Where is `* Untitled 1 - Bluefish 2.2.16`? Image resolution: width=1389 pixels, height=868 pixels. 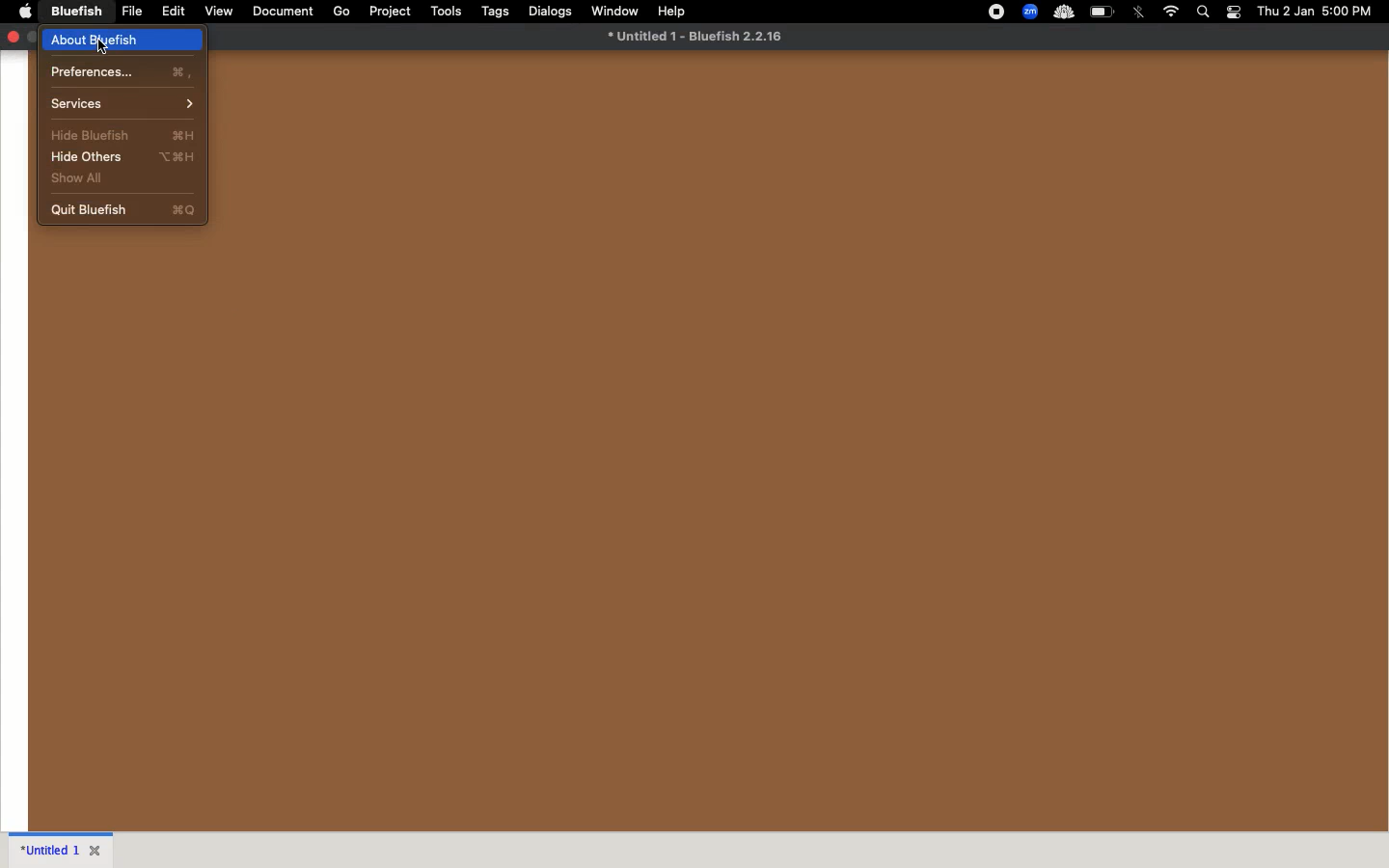 * Untitled 1 - Bluefish 2.2.16 is located at coordinates (692, 38).